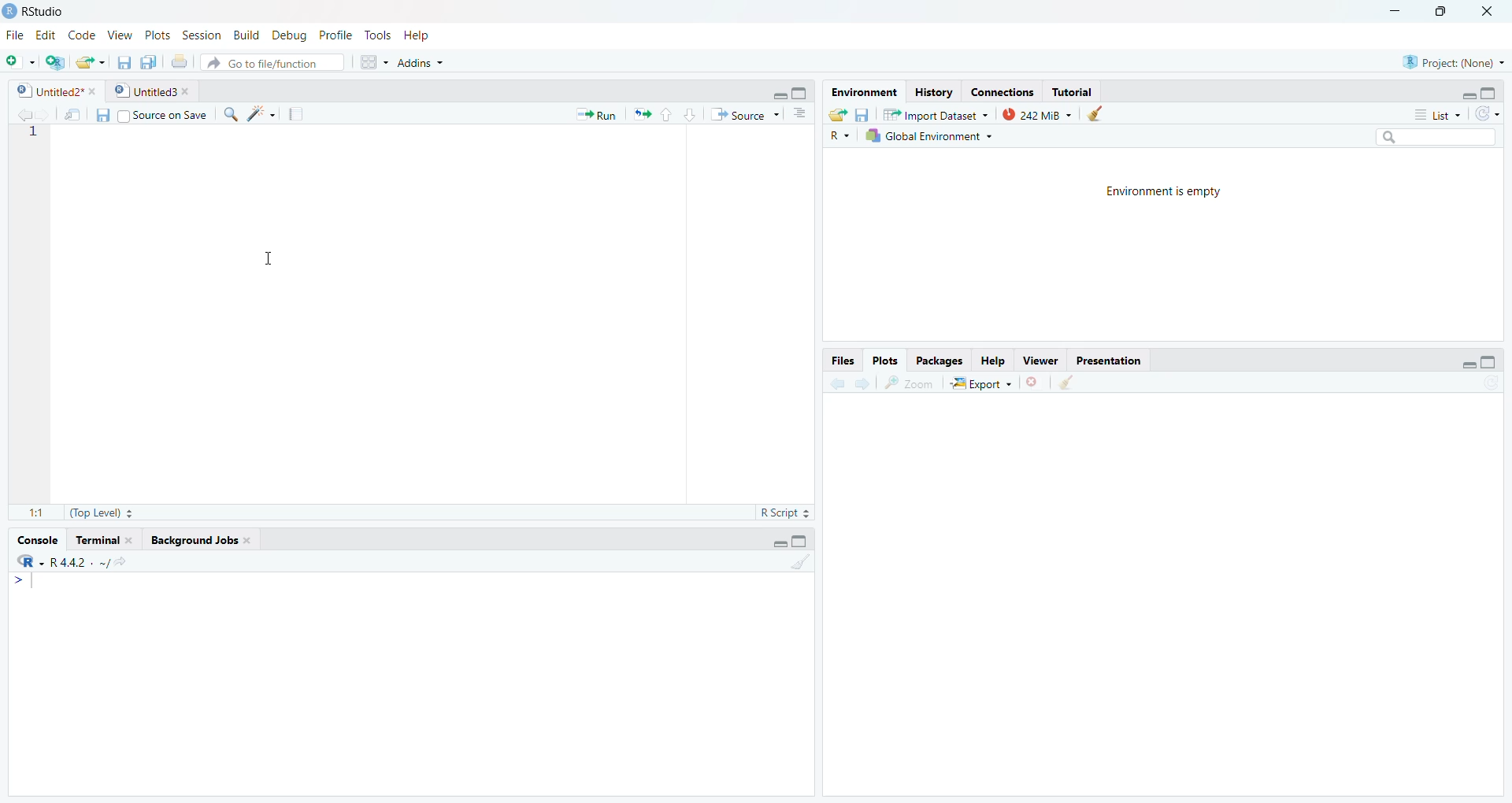  What do you see at coordinates (909, 383) in the screenshot?
I see `Zoom` at bounding box center [909, 383].